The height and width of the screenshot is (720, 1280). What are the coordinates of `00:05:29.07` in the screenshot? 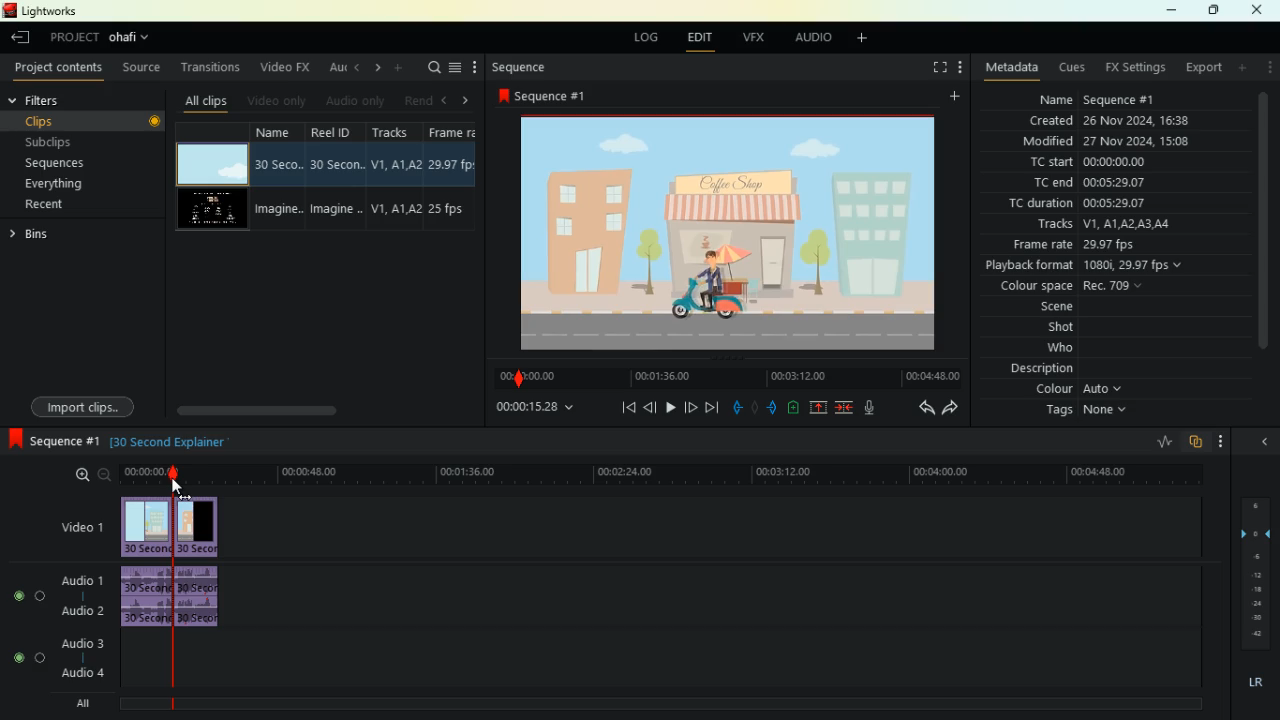 It's located at (1114, 182).